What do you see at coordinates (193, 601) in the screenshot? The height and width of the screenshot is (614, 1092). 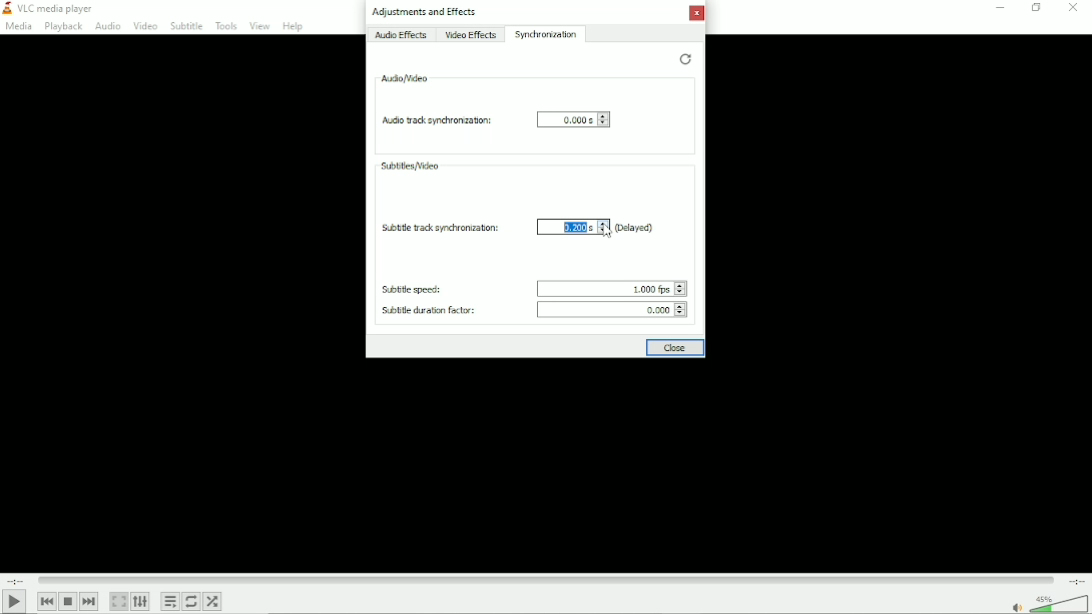 I see `toggle between loop all, loop one and no loop` at bounding box center [193, 601].